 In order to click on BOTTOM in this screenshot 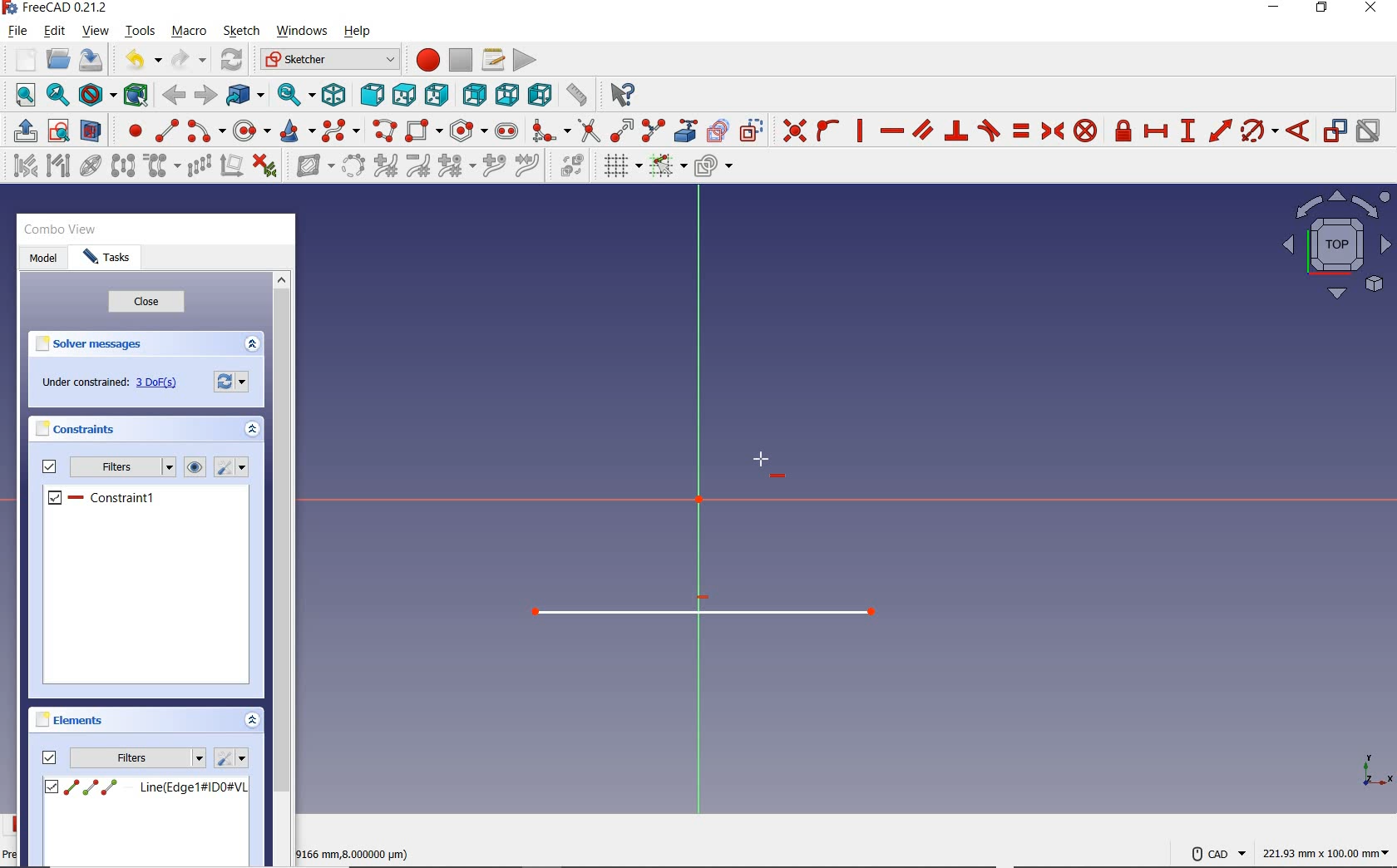, I will do `click(507, 94)`.